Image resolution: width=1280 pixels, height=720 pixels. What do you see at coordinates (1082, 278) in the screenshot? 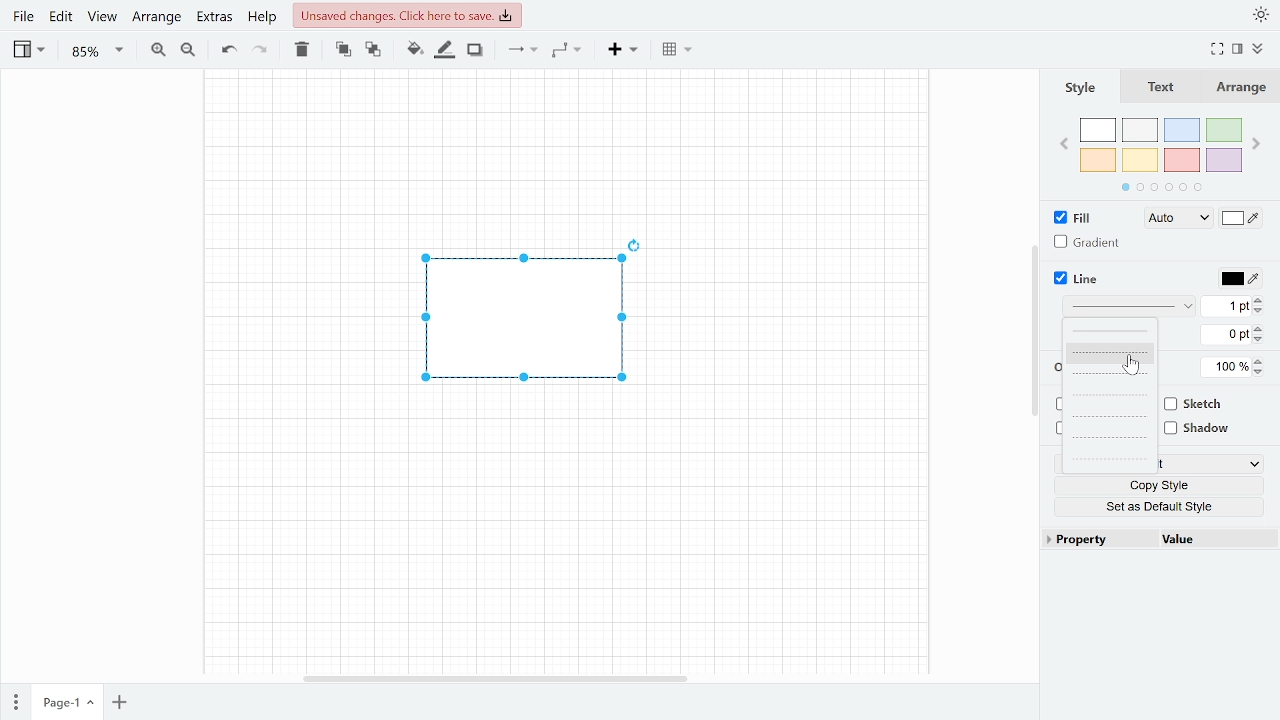
I see `Line` at bounding box center [1082, 278].